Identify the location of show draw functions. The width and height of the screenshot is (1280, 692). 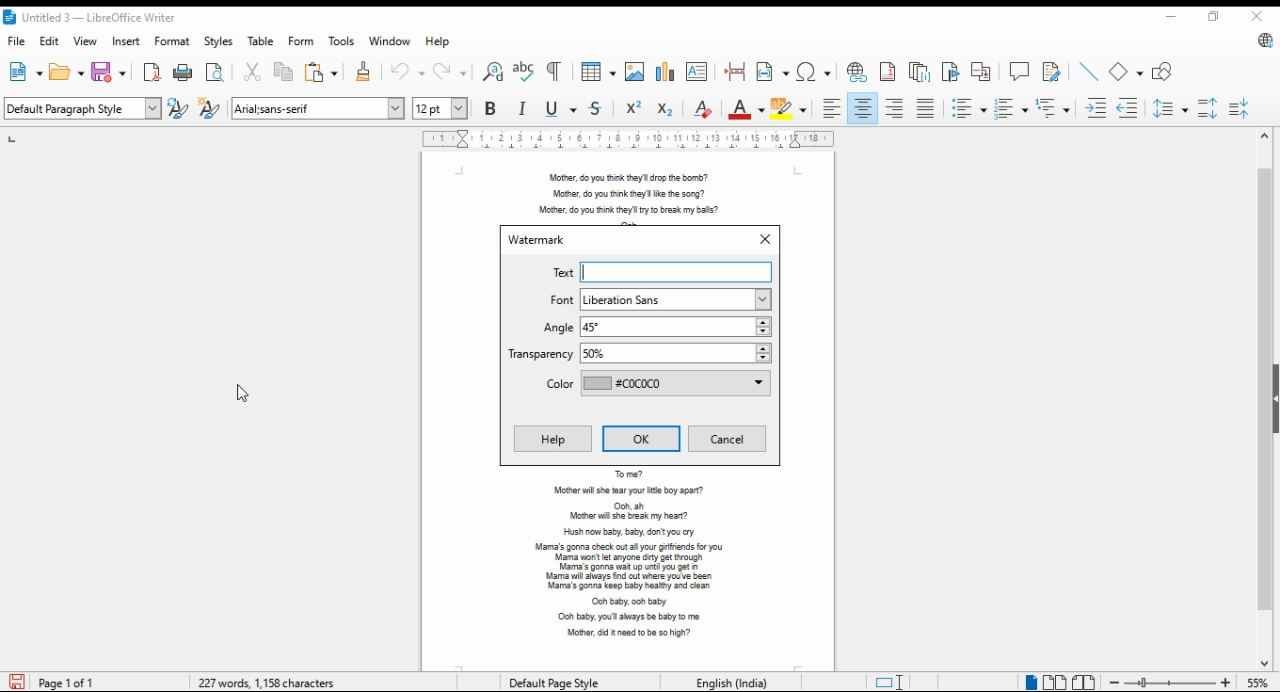
(1162, 72).